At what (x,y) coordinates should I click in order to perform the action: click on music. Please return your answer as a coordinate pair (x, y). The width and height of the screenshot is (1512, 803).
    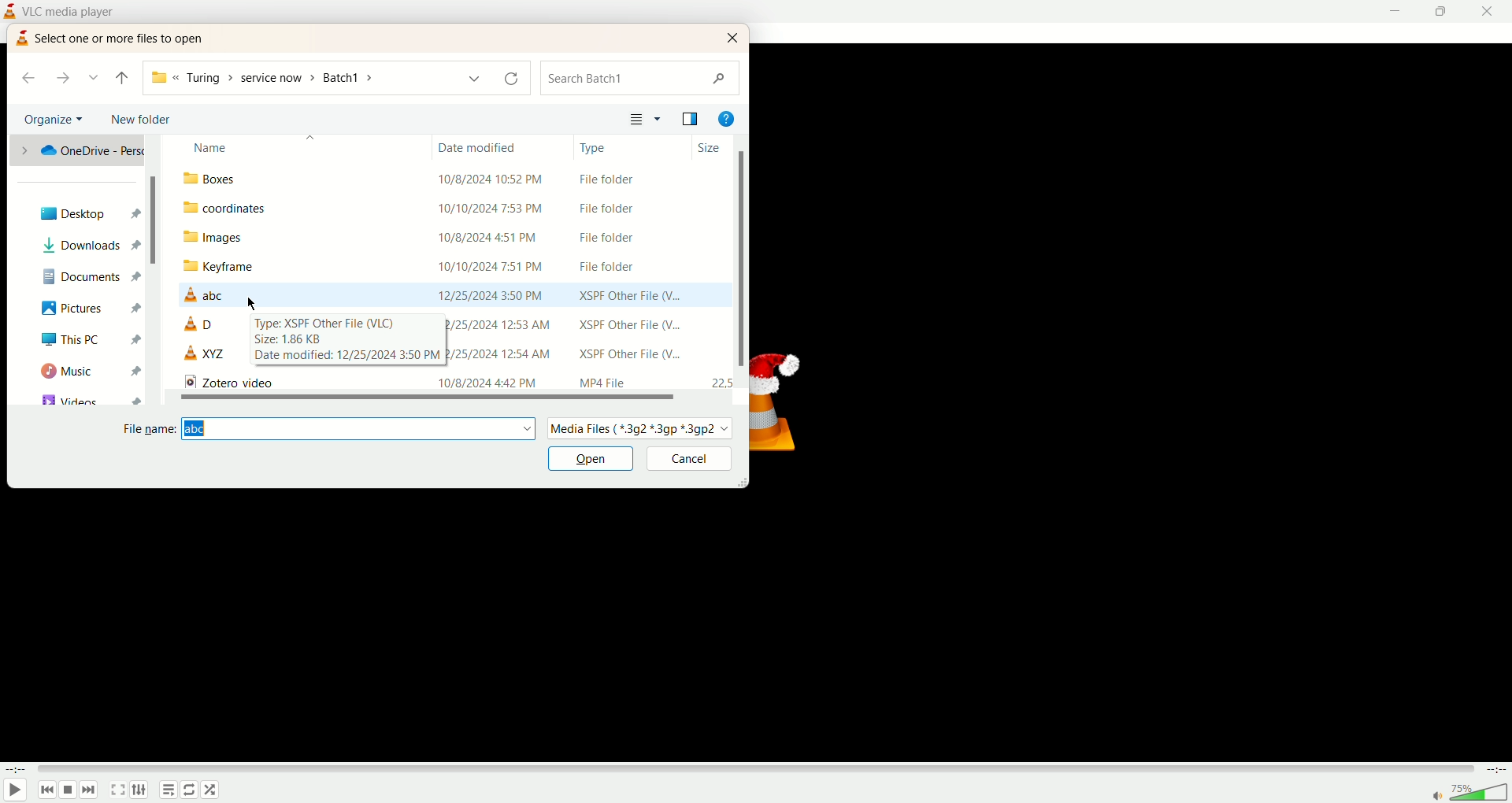
    Looking at the image, I should click on (88, 369).